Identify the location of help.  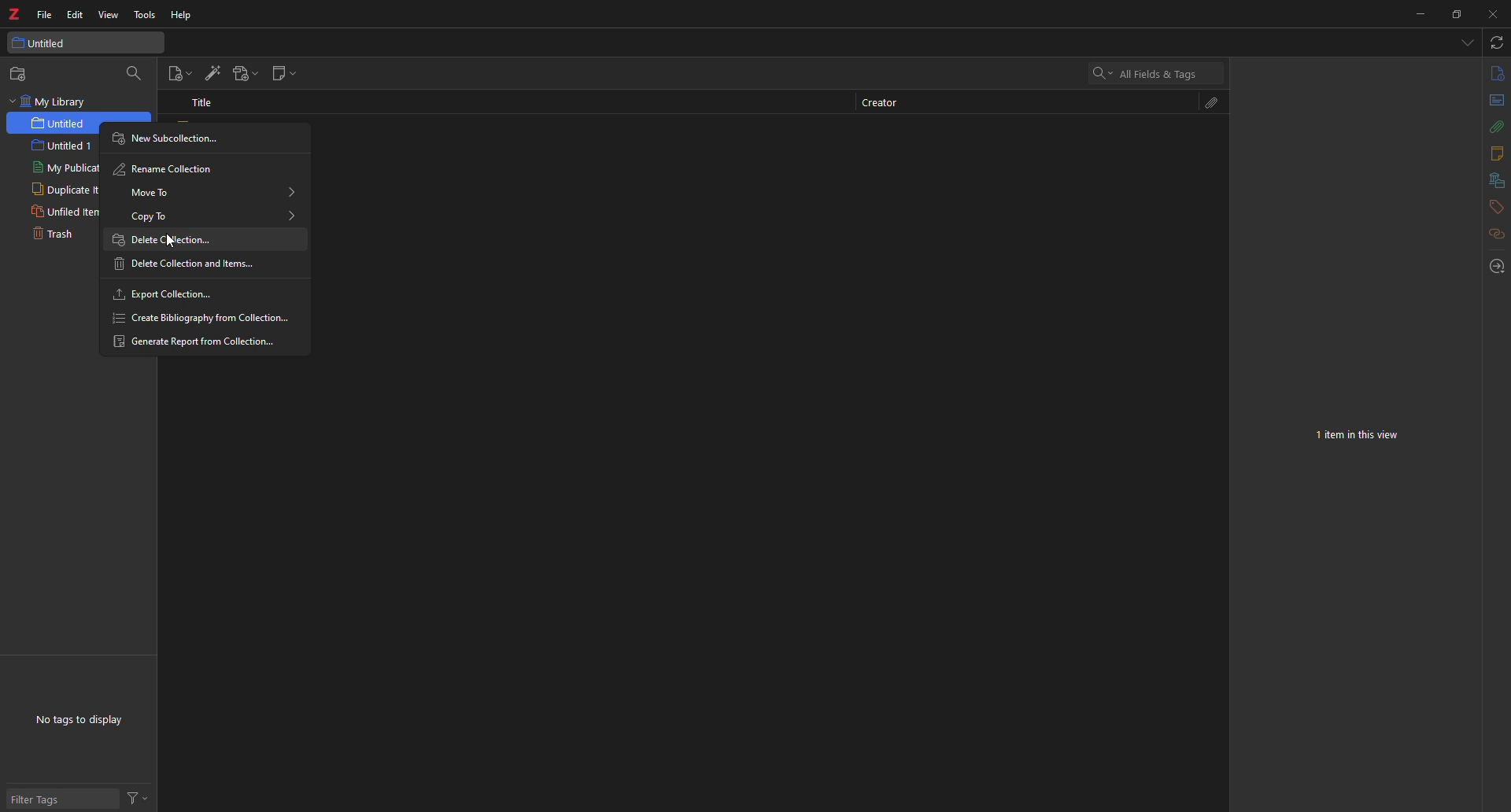
(183, 16).